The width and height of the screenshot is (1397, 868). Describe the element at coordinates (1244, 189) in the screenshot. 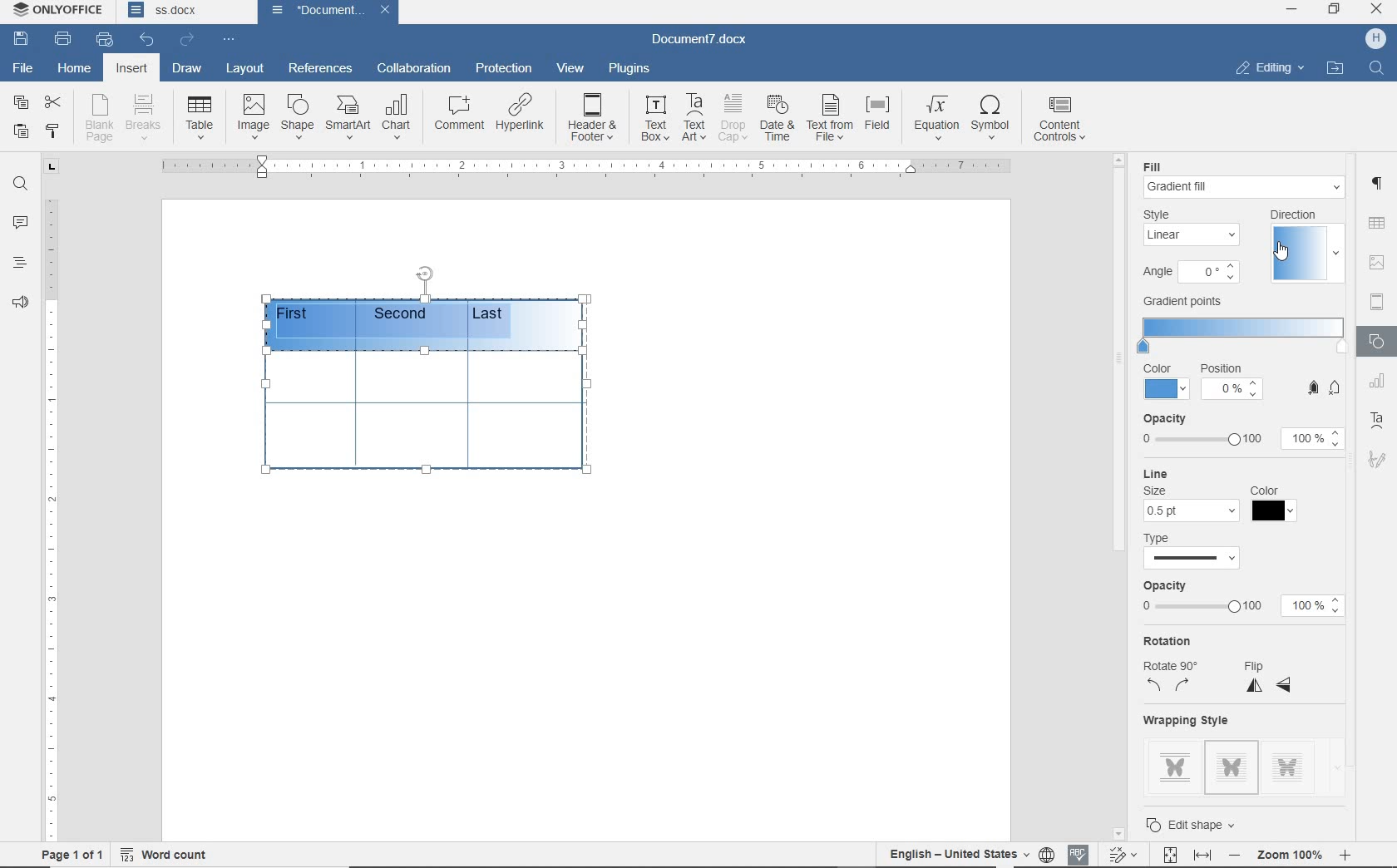

I see `gradient fill` at that location.